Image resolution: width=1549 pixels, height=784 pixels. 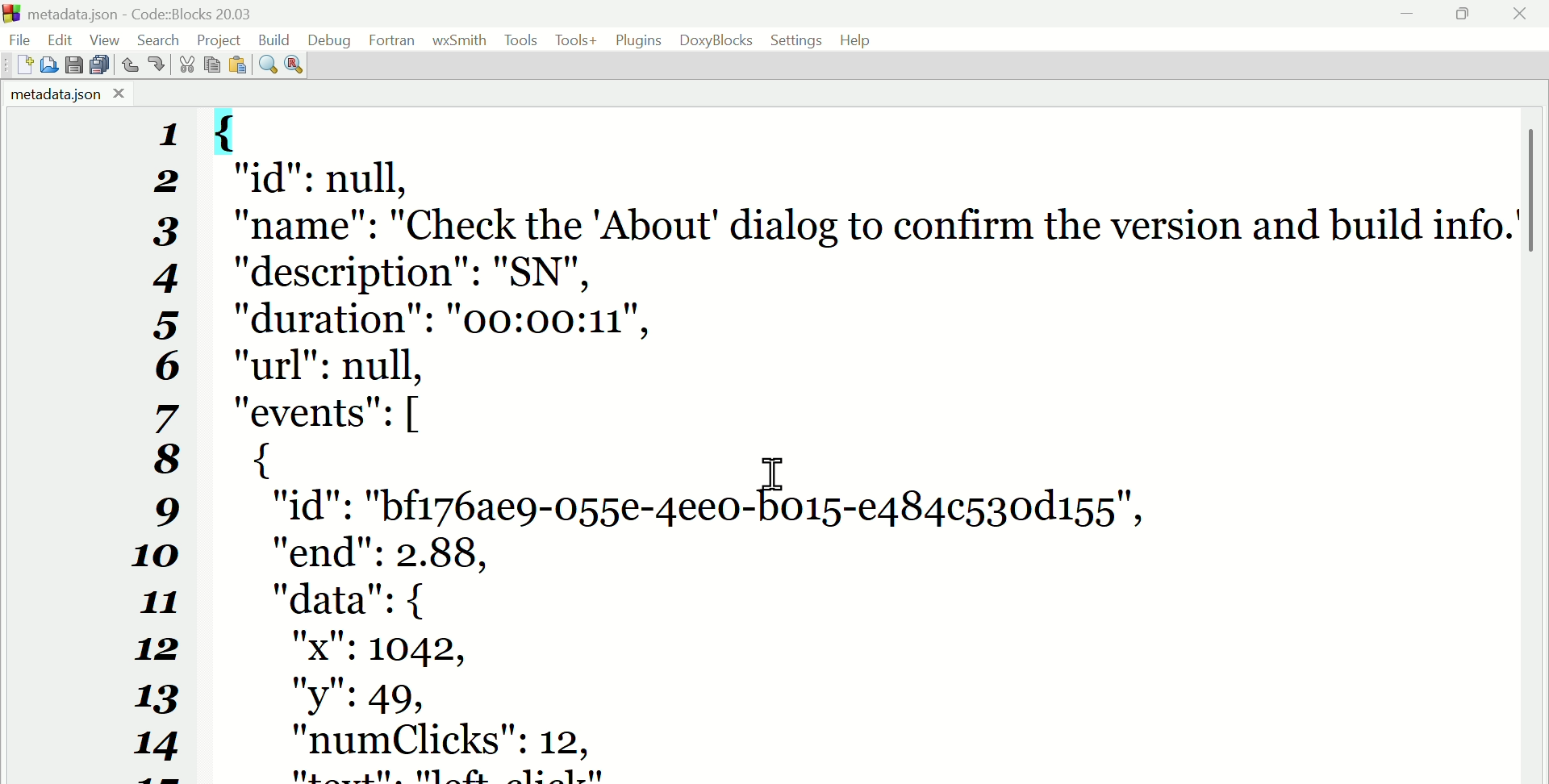 I want to click on Build, so click(x=274, y=38).